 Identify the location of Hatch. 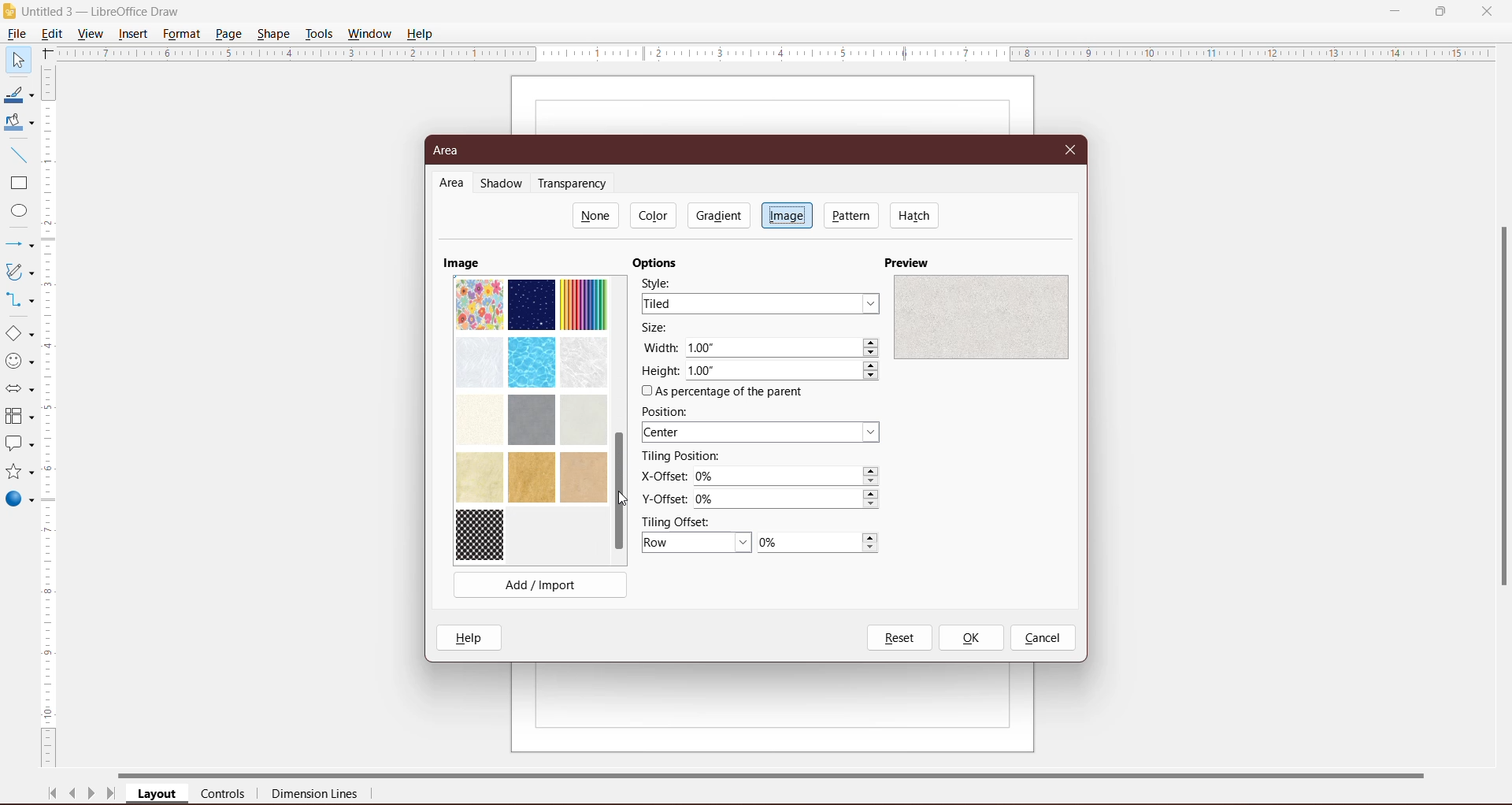
(915, 215).